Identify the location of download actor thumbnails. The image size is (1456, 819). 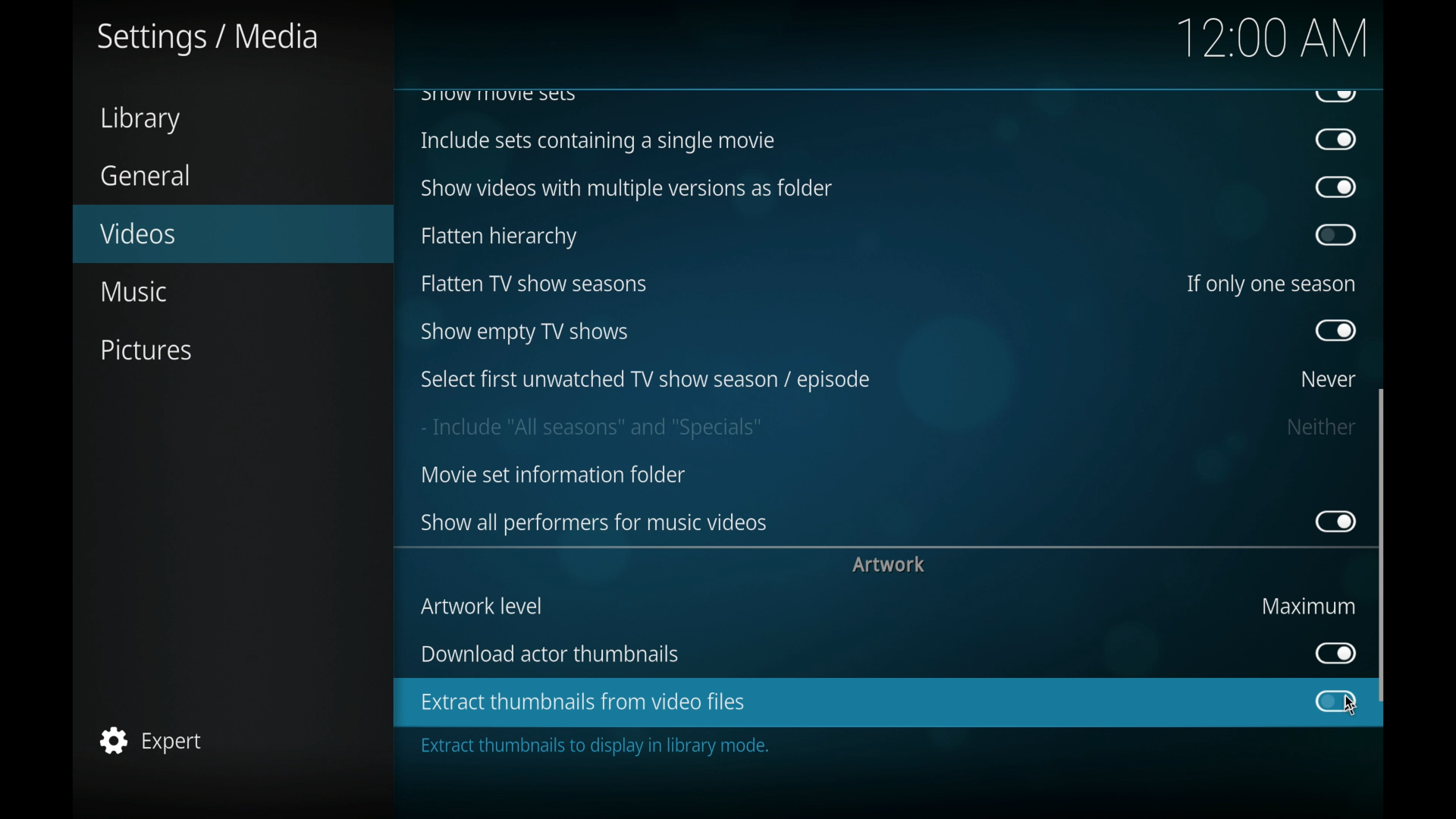
(550, 654).